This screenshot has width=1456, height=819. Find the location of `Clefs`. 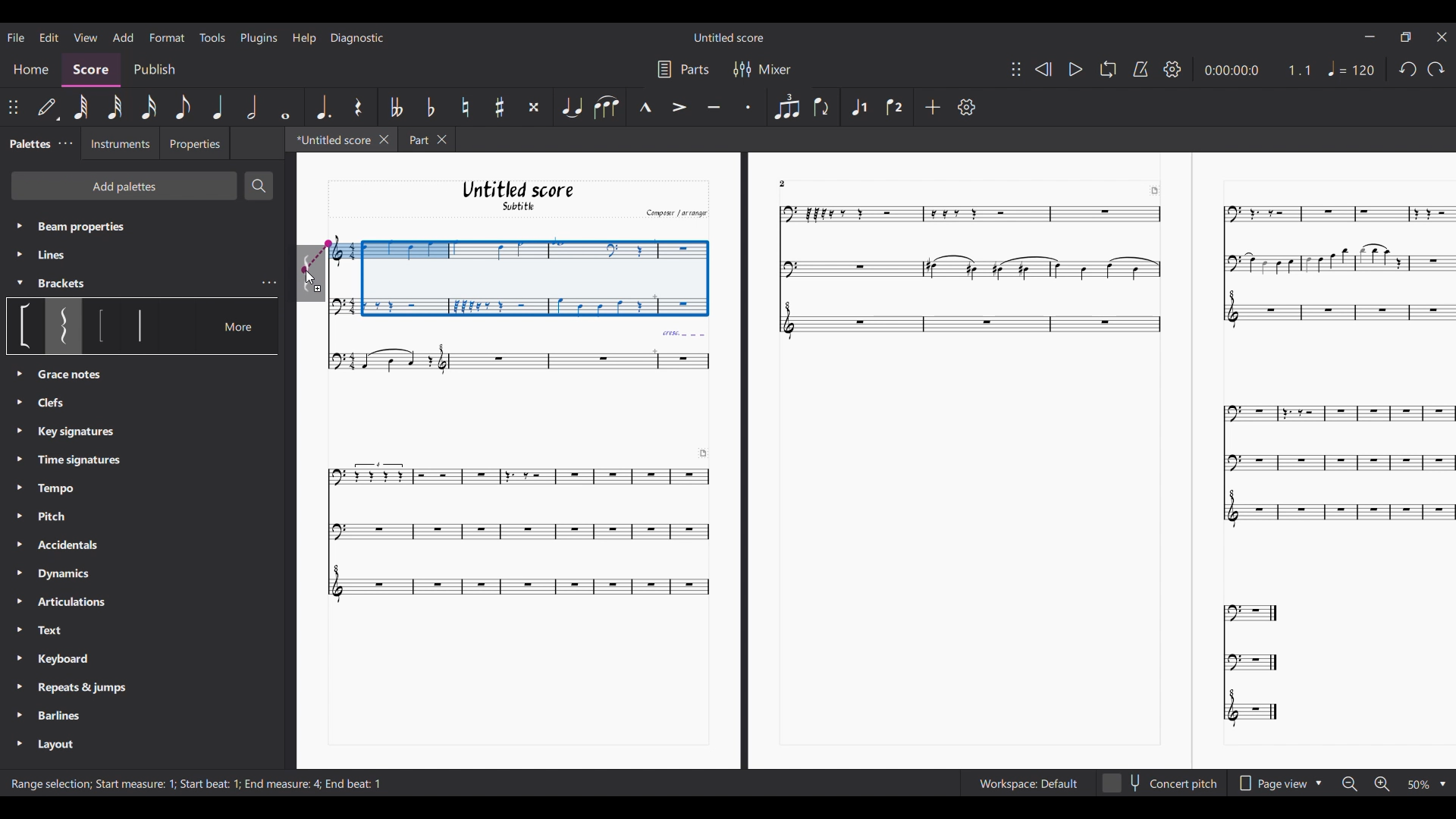

Clefs is located at coordinates (68, 375).